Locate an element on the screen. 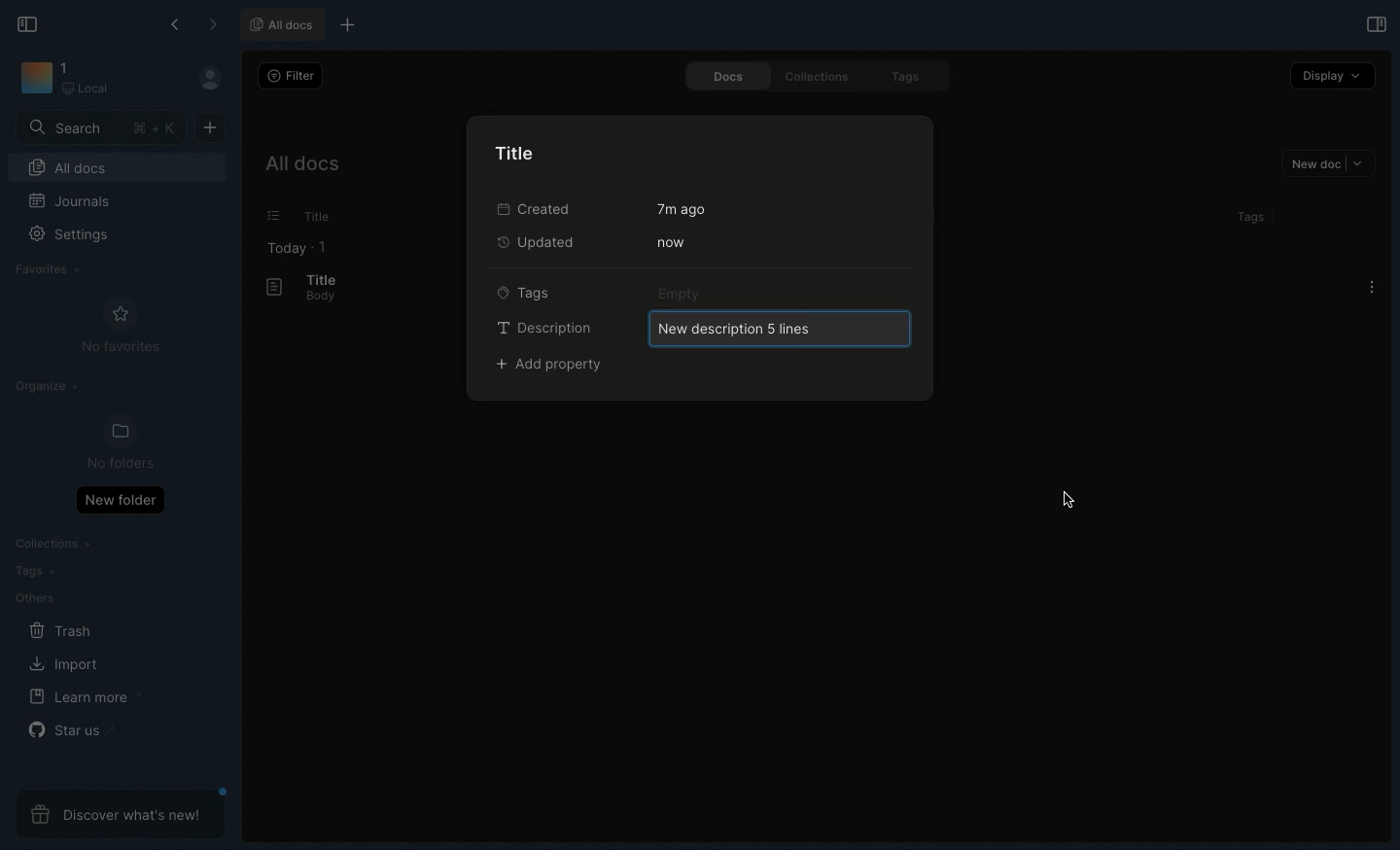 The width and height of the screenshot is (1400, 850). Trash is located at coordinates (61, 631).